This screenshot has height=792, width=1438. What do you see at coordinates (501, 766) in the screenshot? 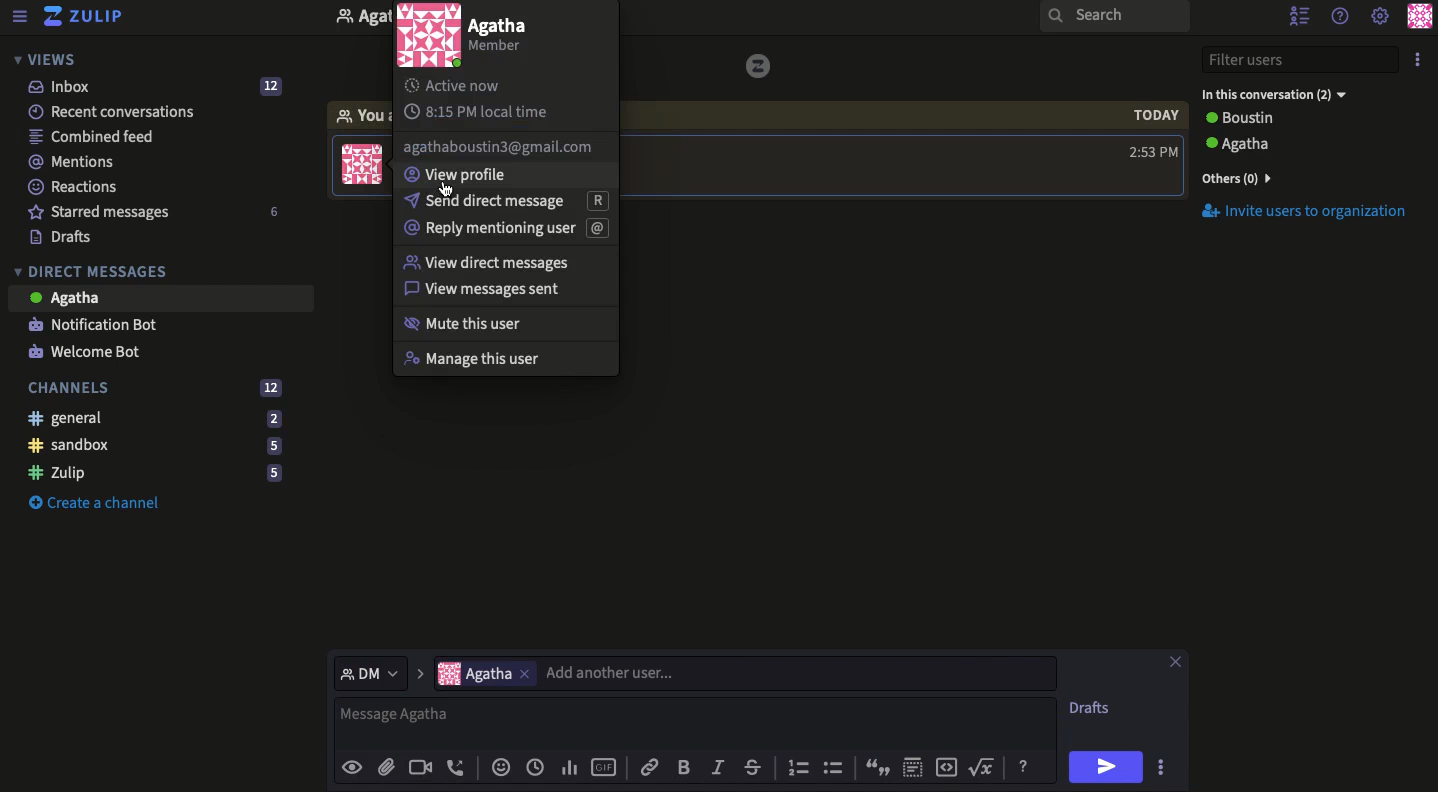
I see `Reaction` at bounding box center [501, 766].